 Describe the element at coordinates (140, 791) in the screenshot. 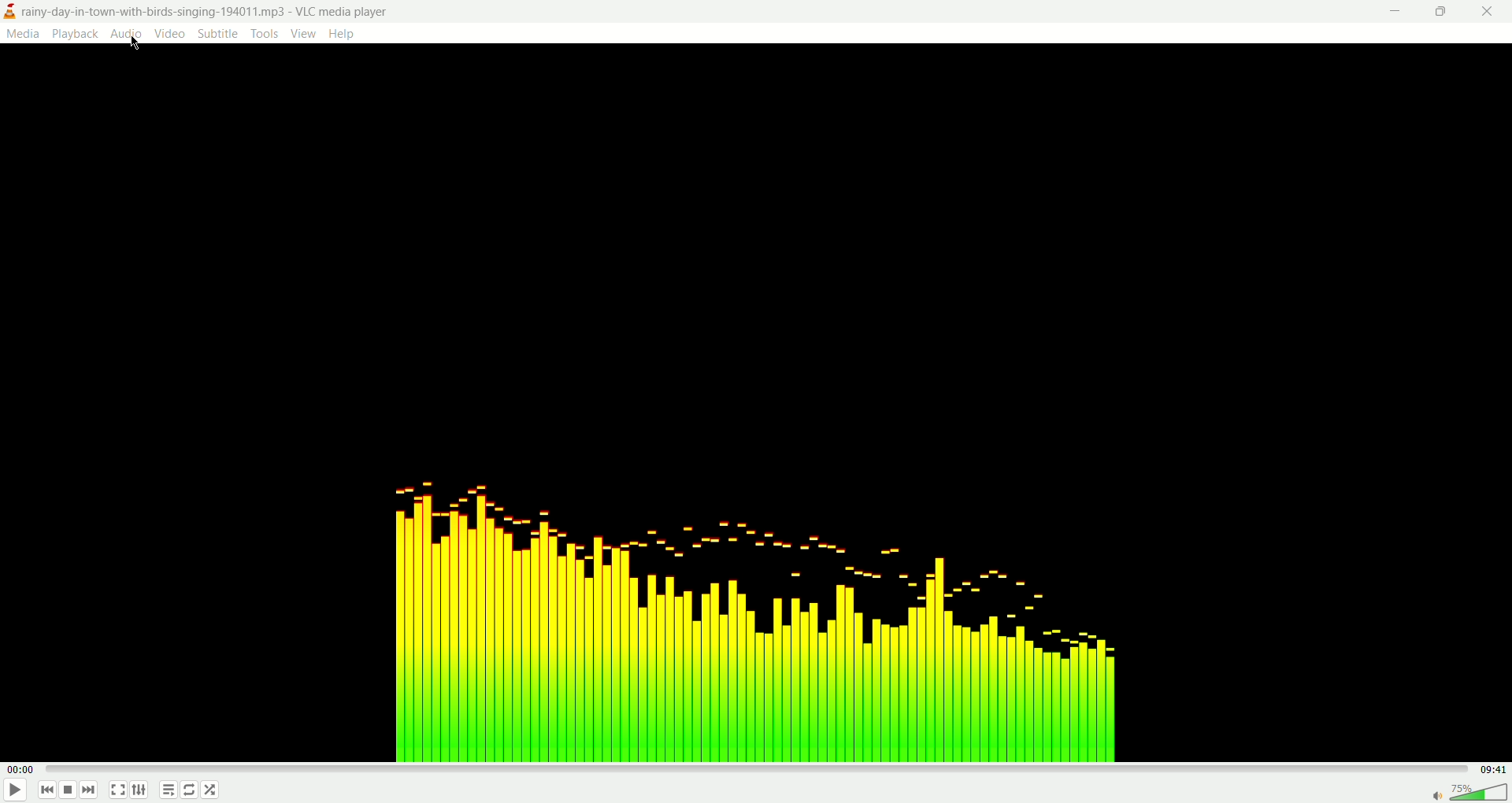

I see `extended settings` at that location.